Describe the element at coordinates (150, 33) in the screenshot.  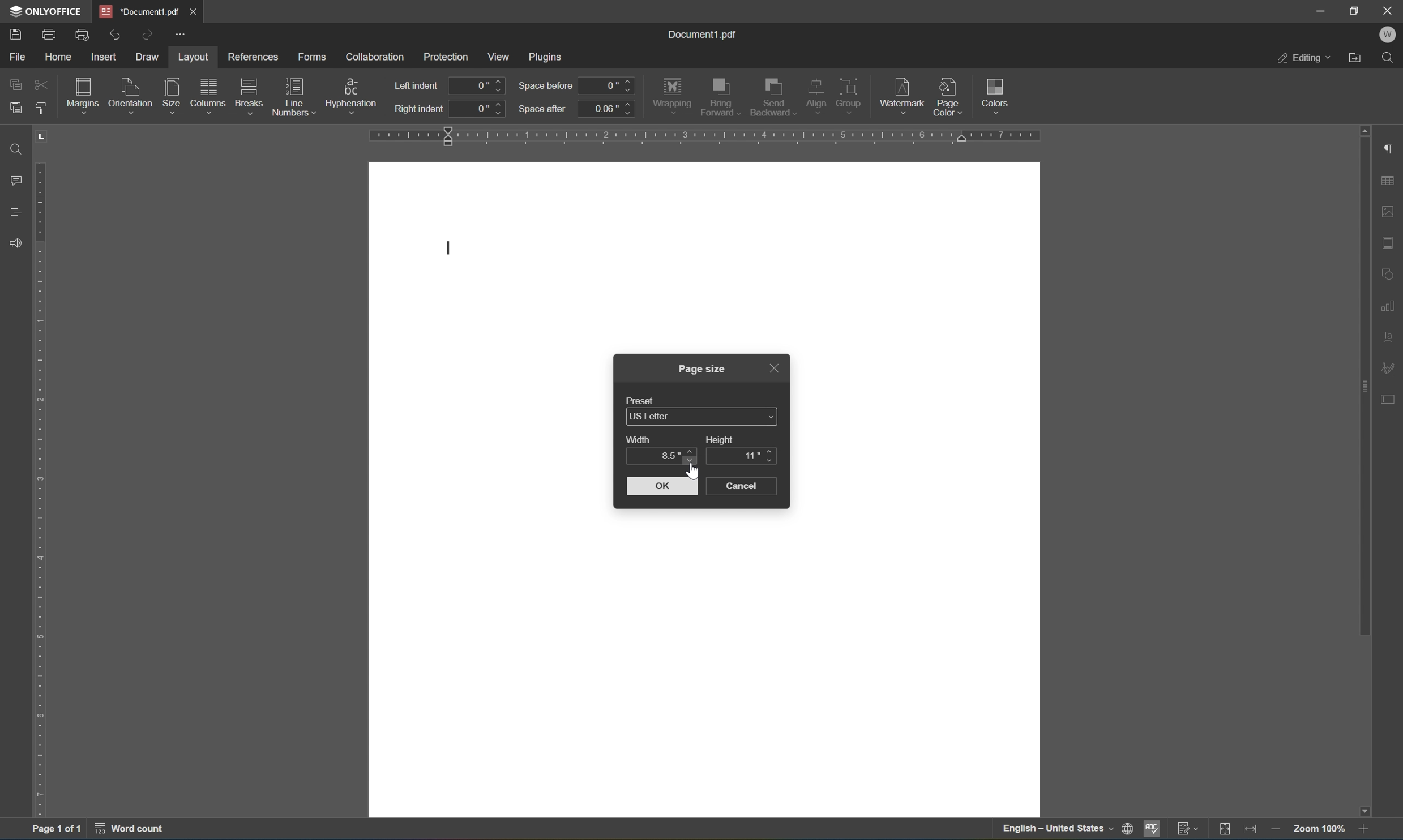
I see `redo` at that location.